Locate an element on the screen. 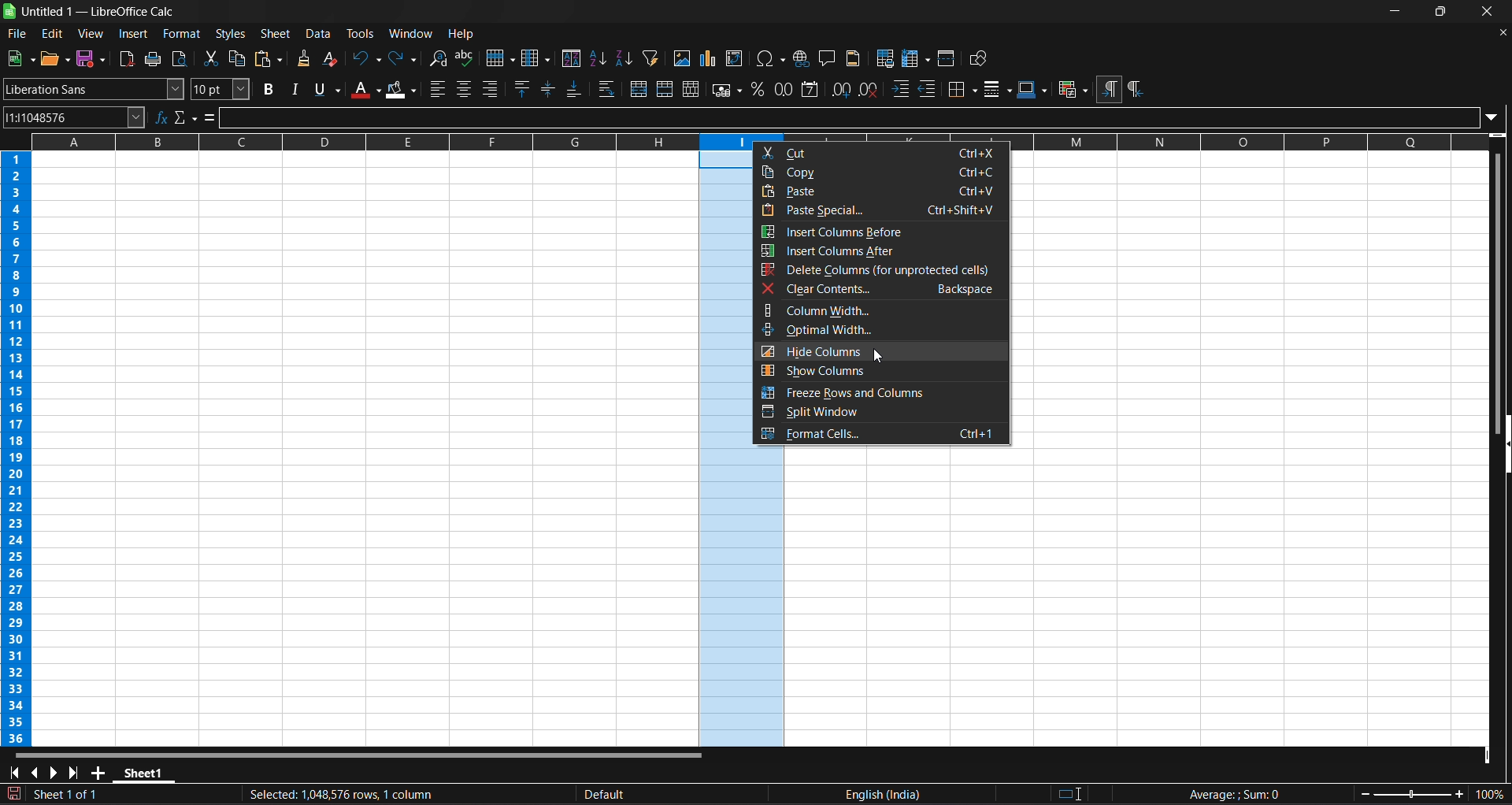 The height and width of the screenshot is (805, 1512). italic is located at coordinates (295, 90).